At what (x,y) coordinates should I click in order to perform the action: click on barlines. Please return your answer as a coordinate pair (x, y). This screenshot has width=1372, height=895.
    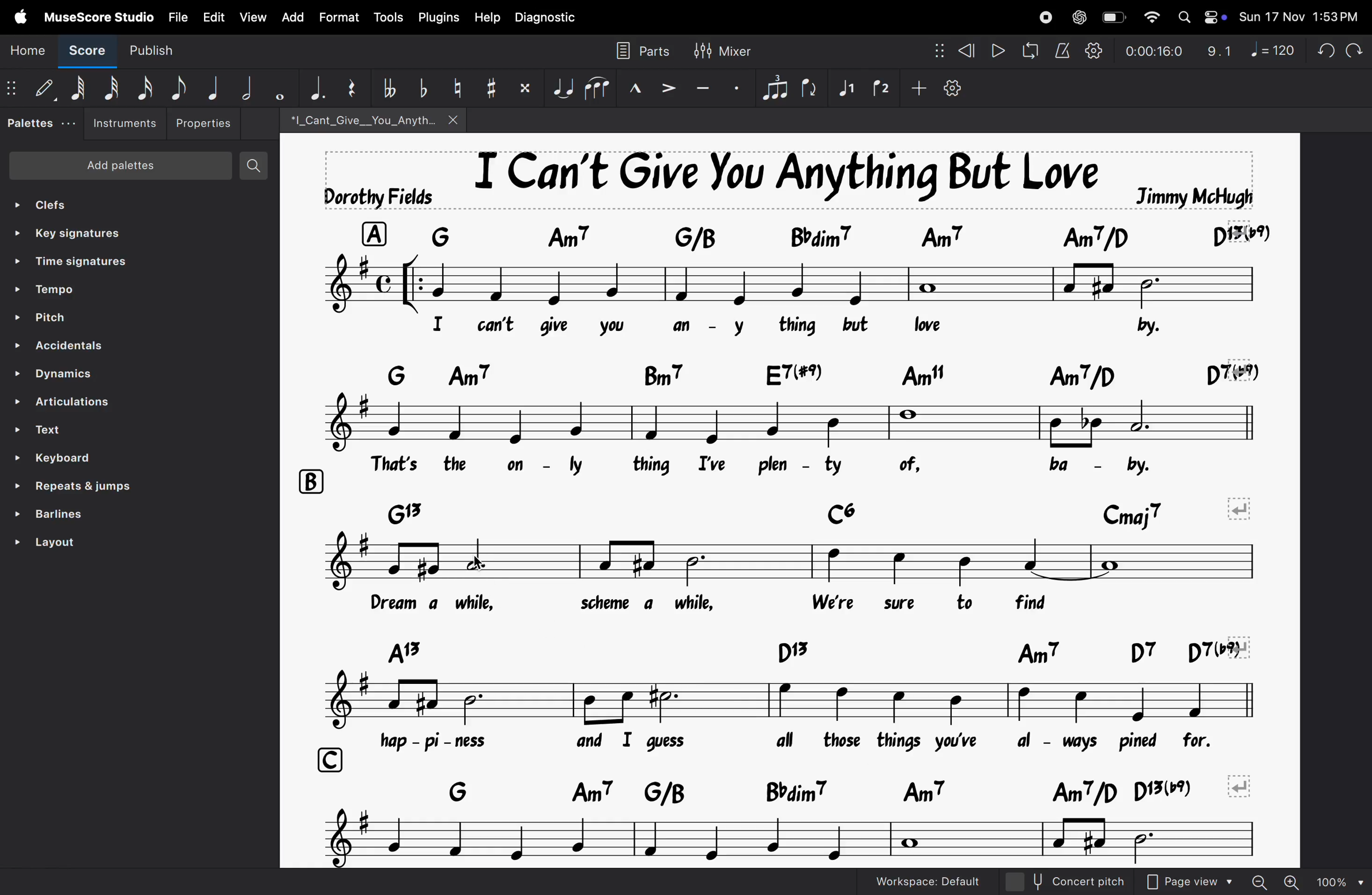
    Looking at the image, I should click on (51, 514).